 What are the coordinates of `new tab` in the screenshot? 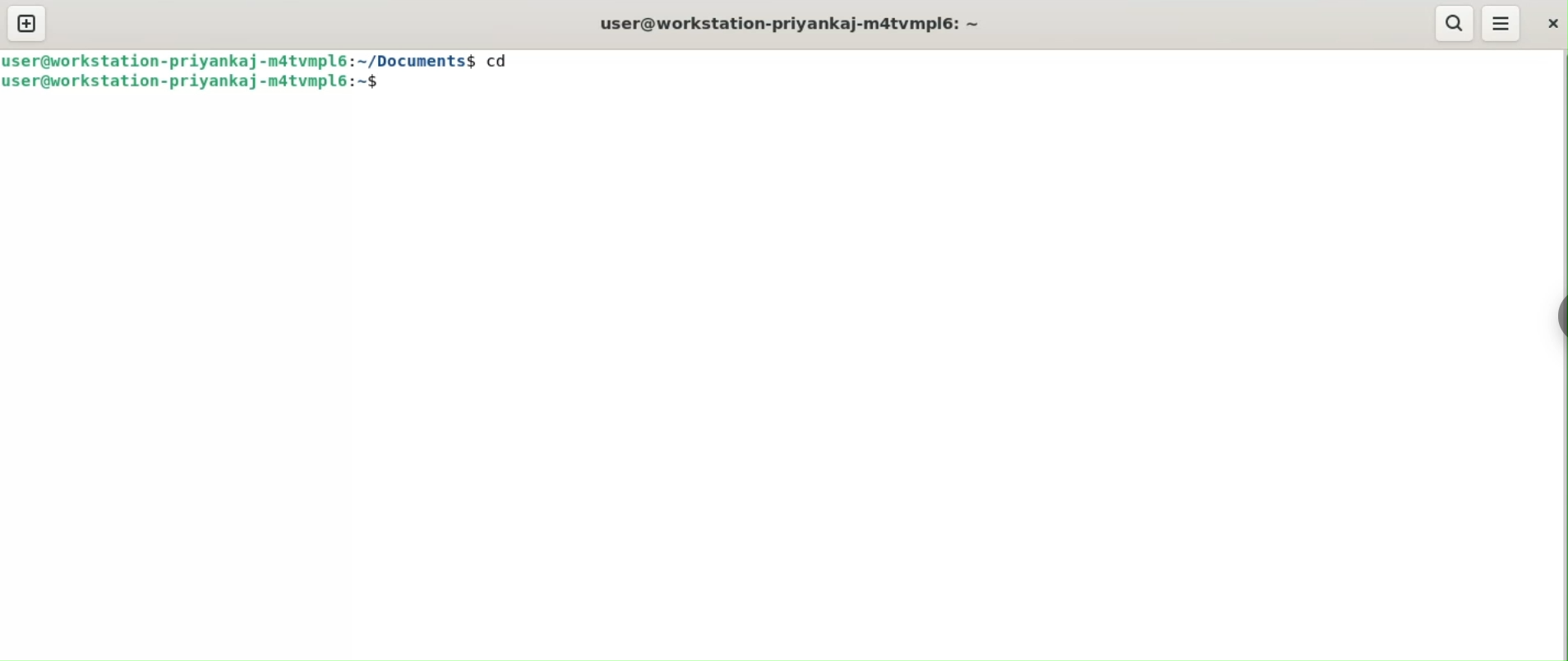 It's located at (27, 23).